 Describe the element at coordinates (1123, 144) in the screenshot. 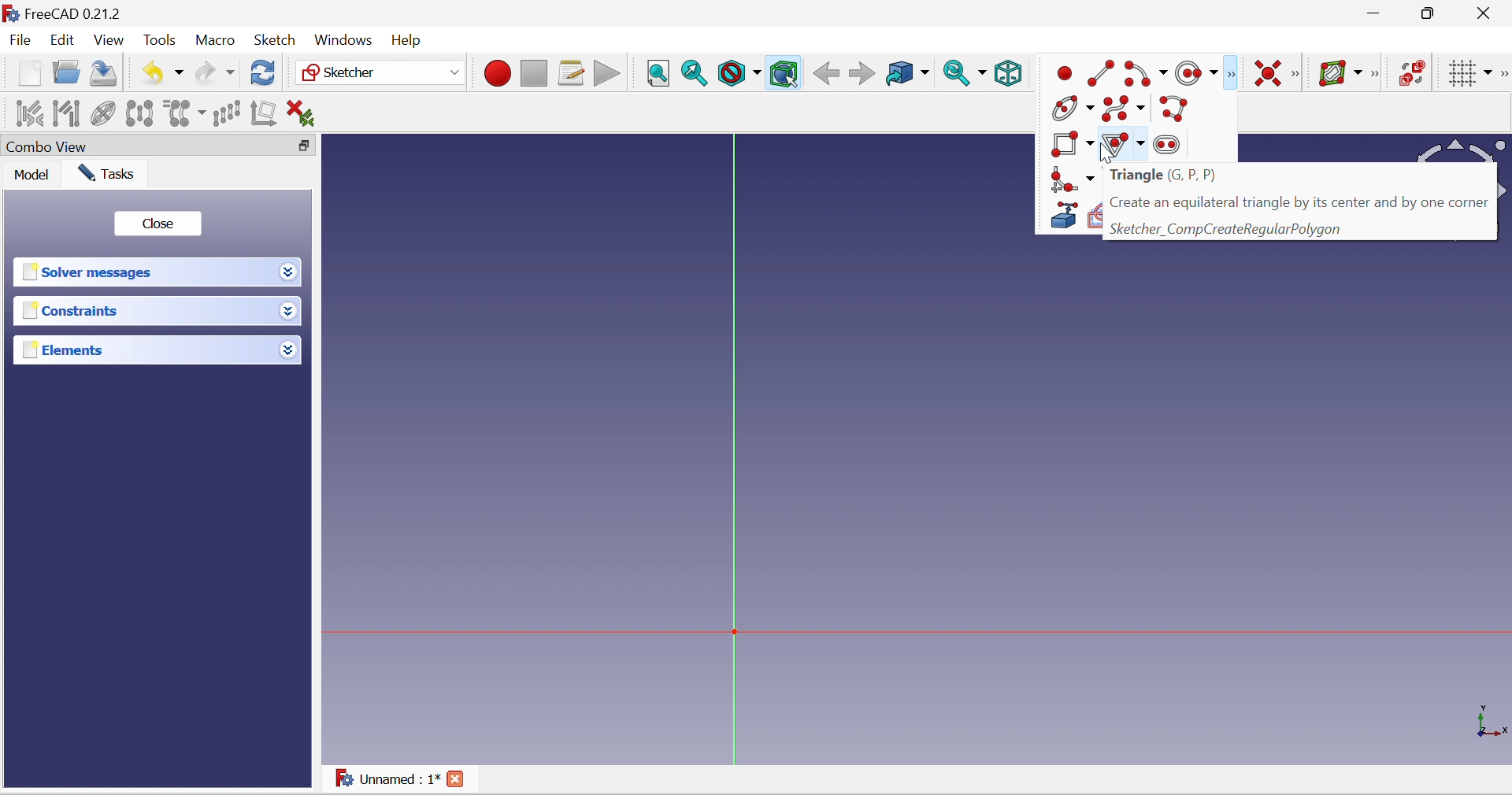

I see `Create triangle` at that location.